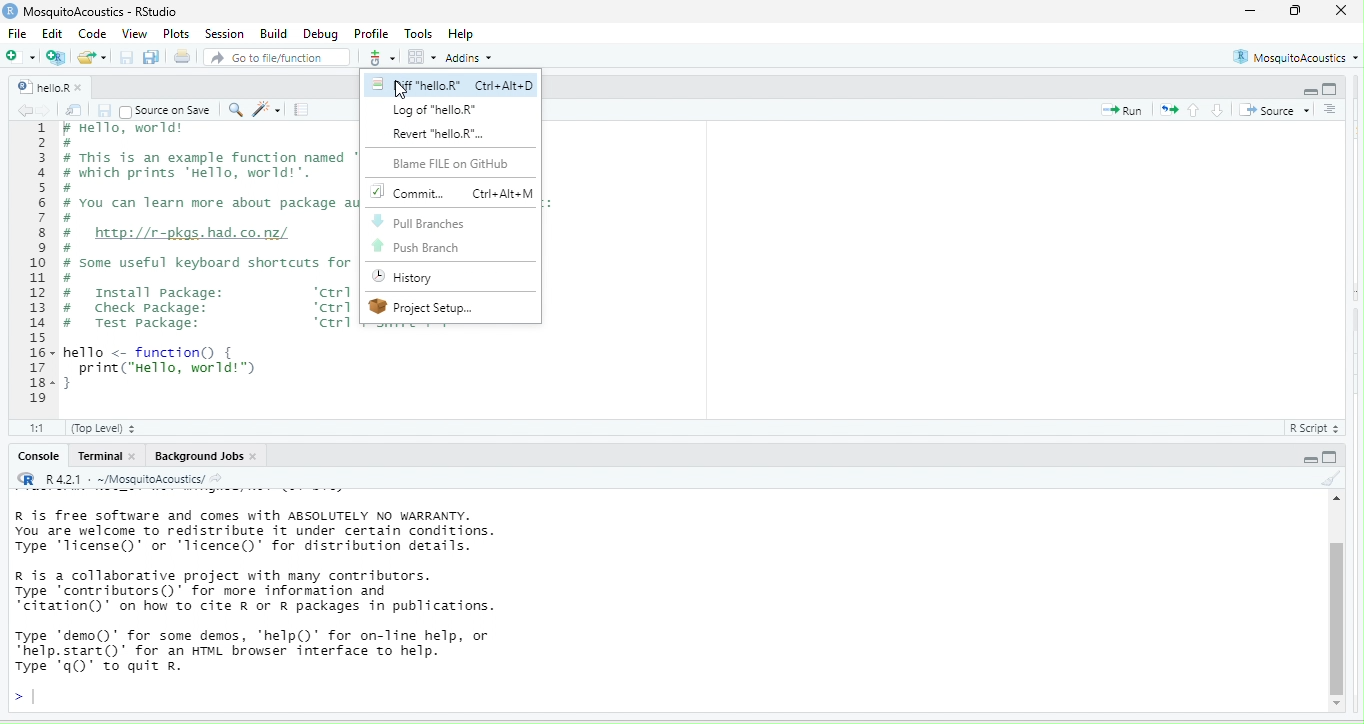  I want to click on  Addins *, so click(470, 58).